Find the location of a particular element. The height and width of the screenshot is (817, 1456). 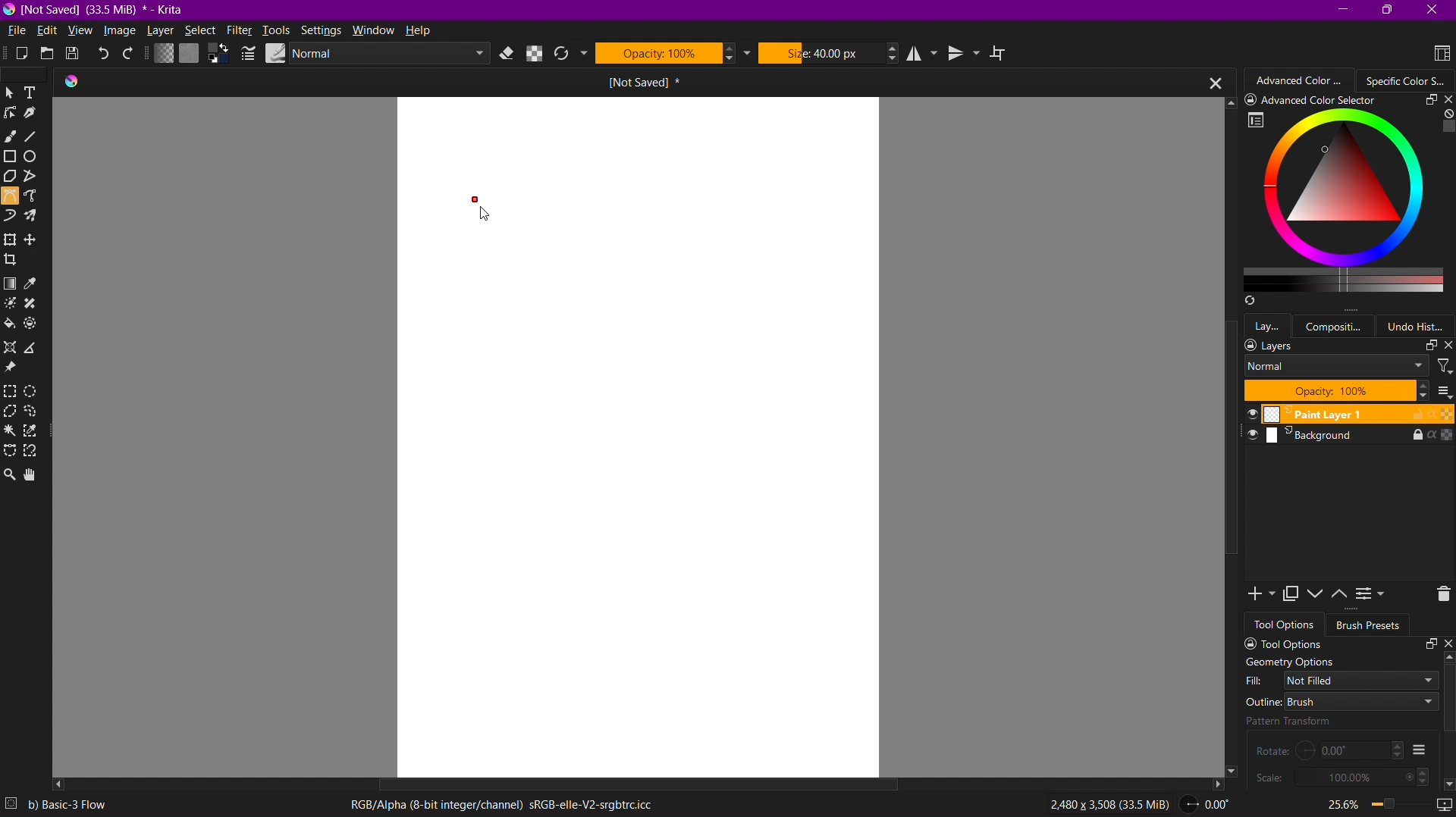

Edit Brush Settings is located at coordinates (246, 54).